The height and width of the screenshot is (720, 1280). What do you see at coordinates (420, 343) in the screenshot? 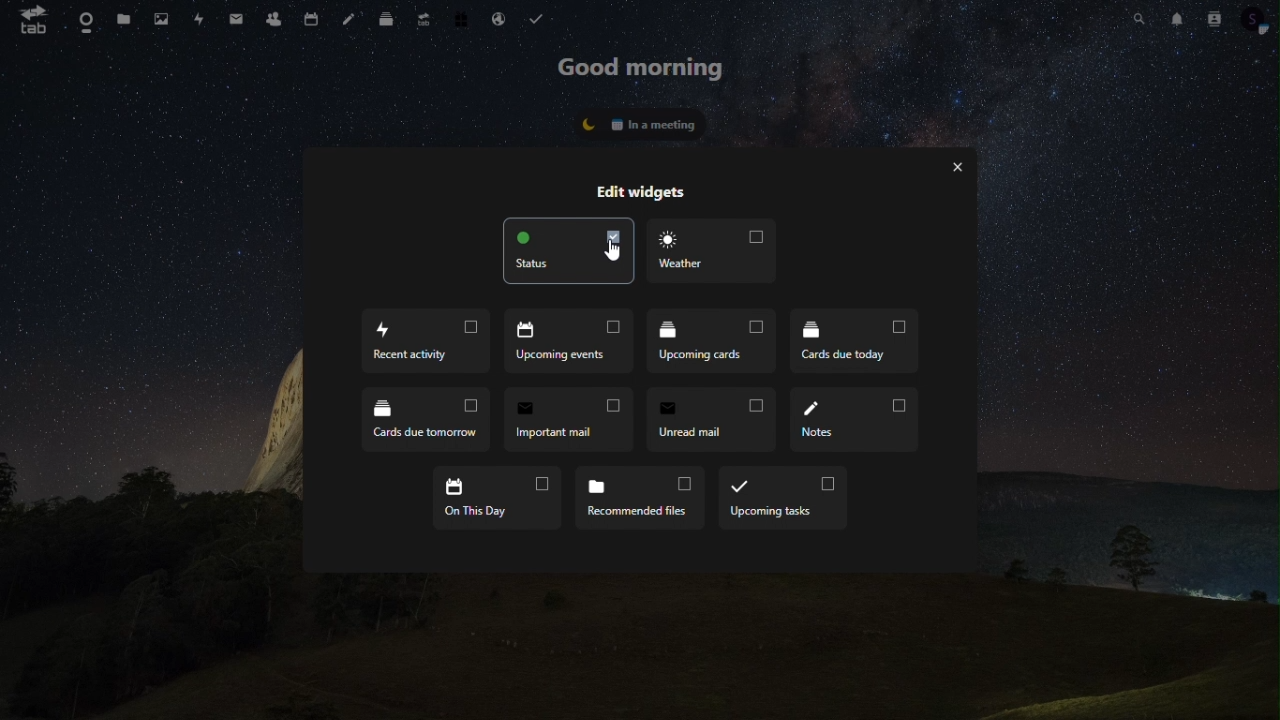
I see `recent acticity` at bounding box center [420, 343].